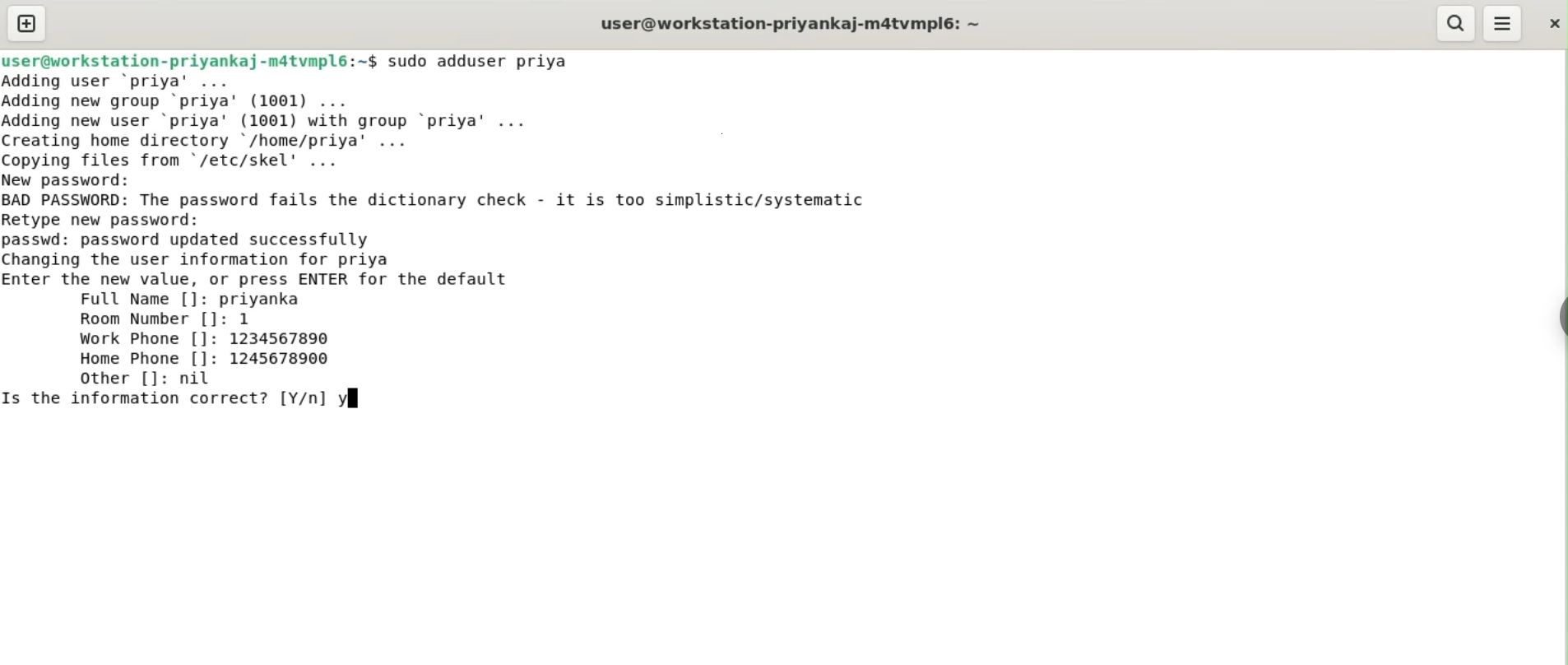  Describe the element at coordinates (150, 321) in the screenshot. I see `room number []:` at that location.